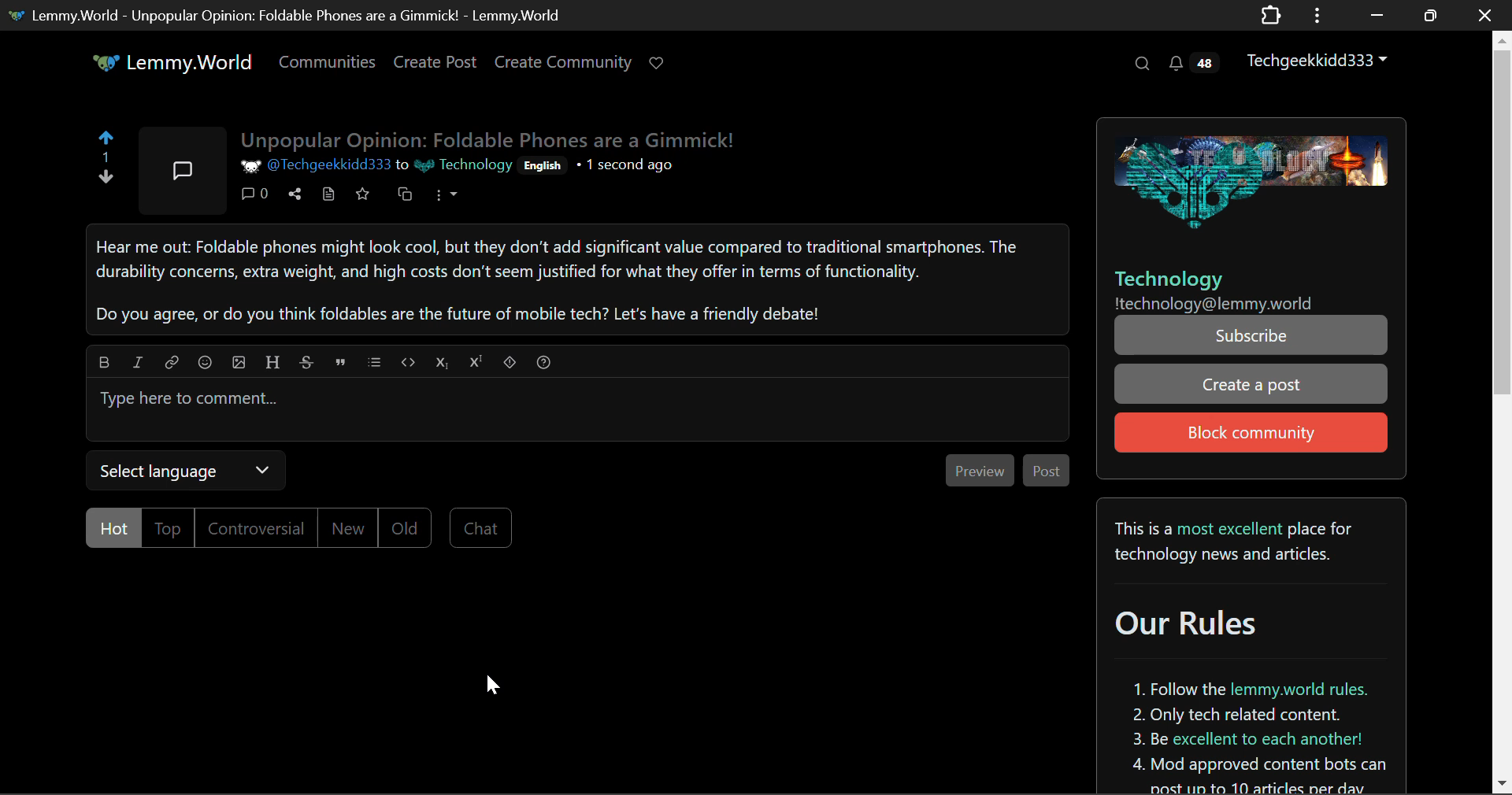  What do you see at coordinates (545, 166) in the screenshot?
I see `Post Language` at bounding box center [545, 166].